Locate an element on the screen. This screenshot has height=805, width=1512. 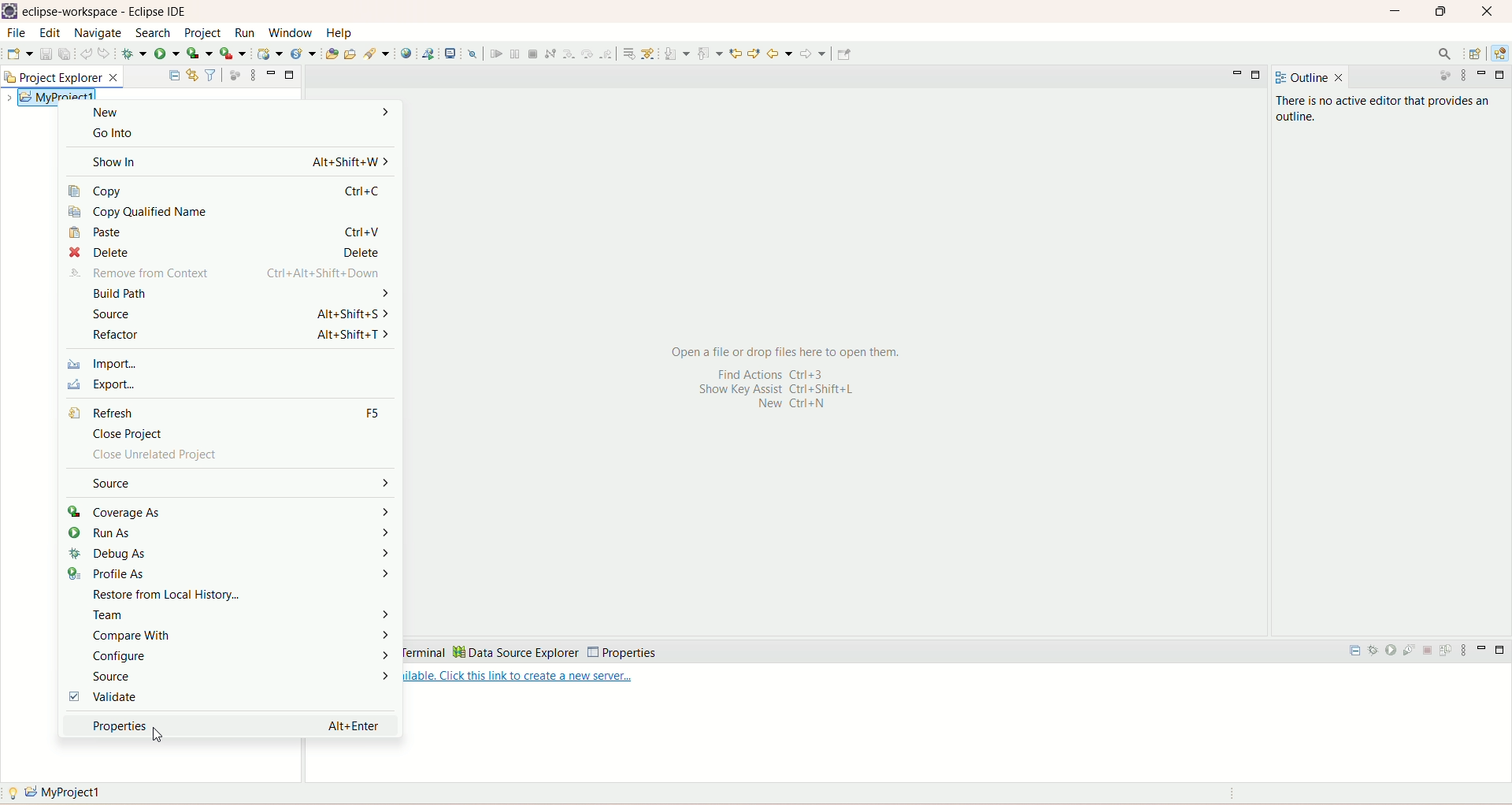
back is located at coordinates (780, 54).